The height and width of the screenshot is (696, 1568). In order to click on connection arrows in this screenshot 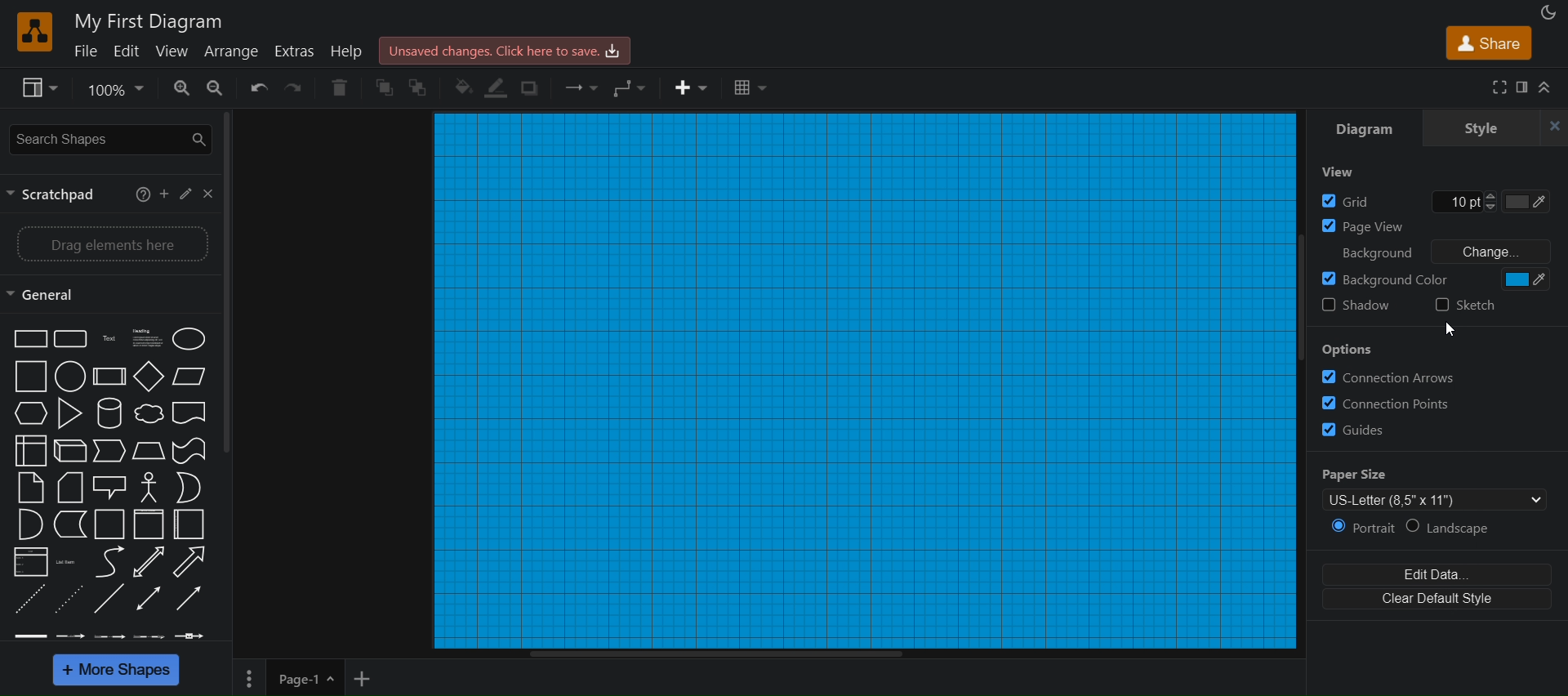, I will do `click(1440, 375)`.